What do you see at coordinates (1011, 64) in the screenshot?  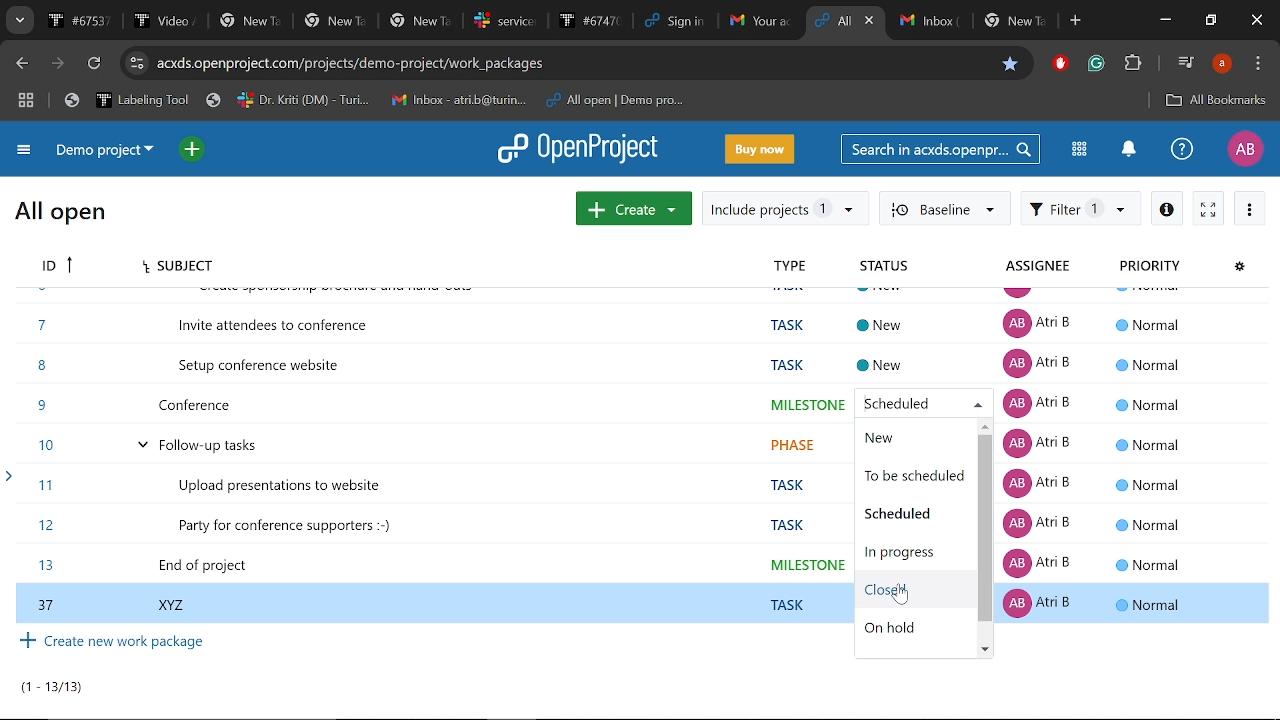 I see `Bookmark this tab` at bounding box center [1011, 64].